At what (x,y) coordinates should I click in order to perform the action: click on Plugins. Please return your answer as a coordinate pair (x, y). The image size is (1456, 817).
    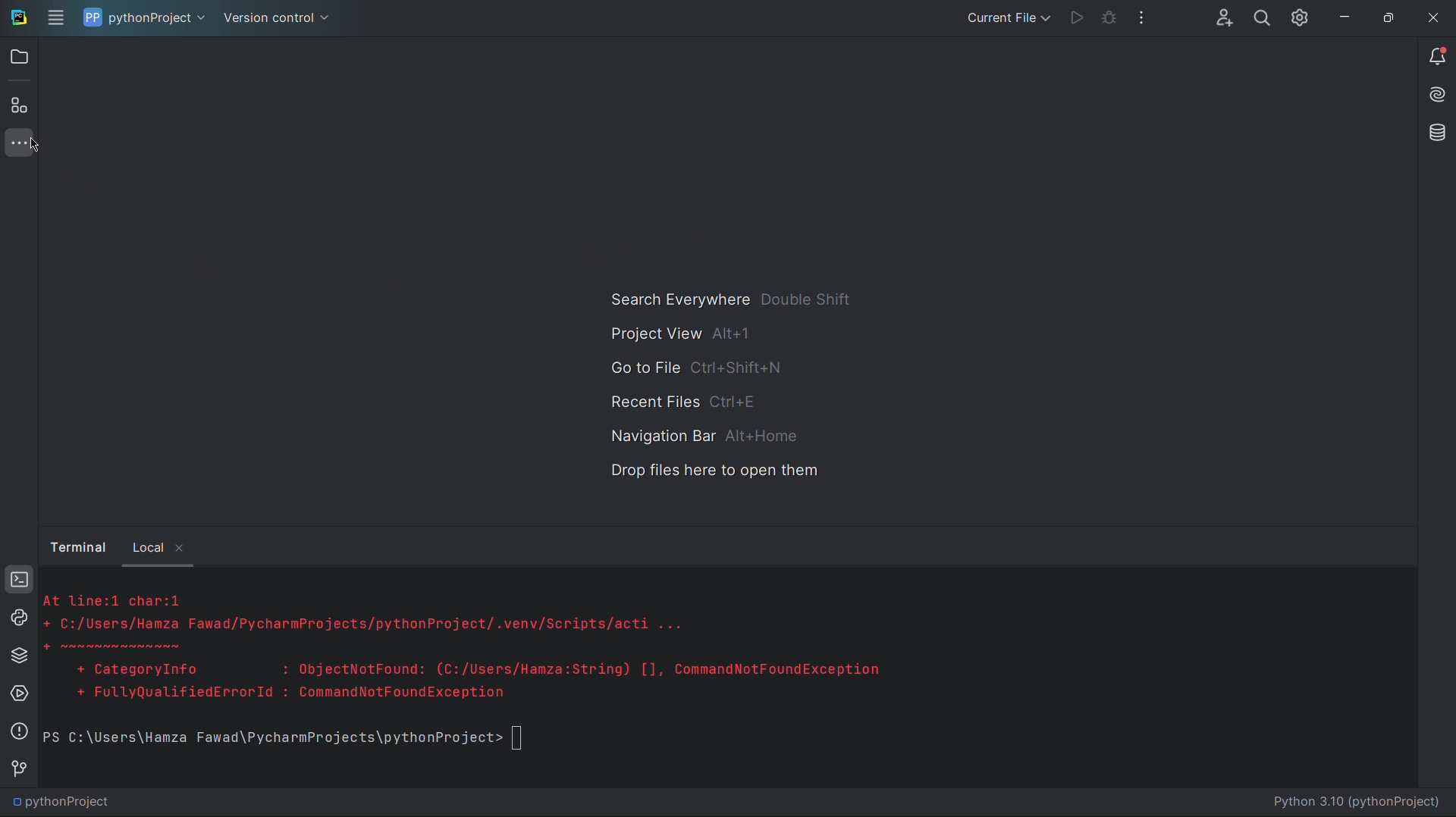
    Looking at the image, I should click on (18, 105).